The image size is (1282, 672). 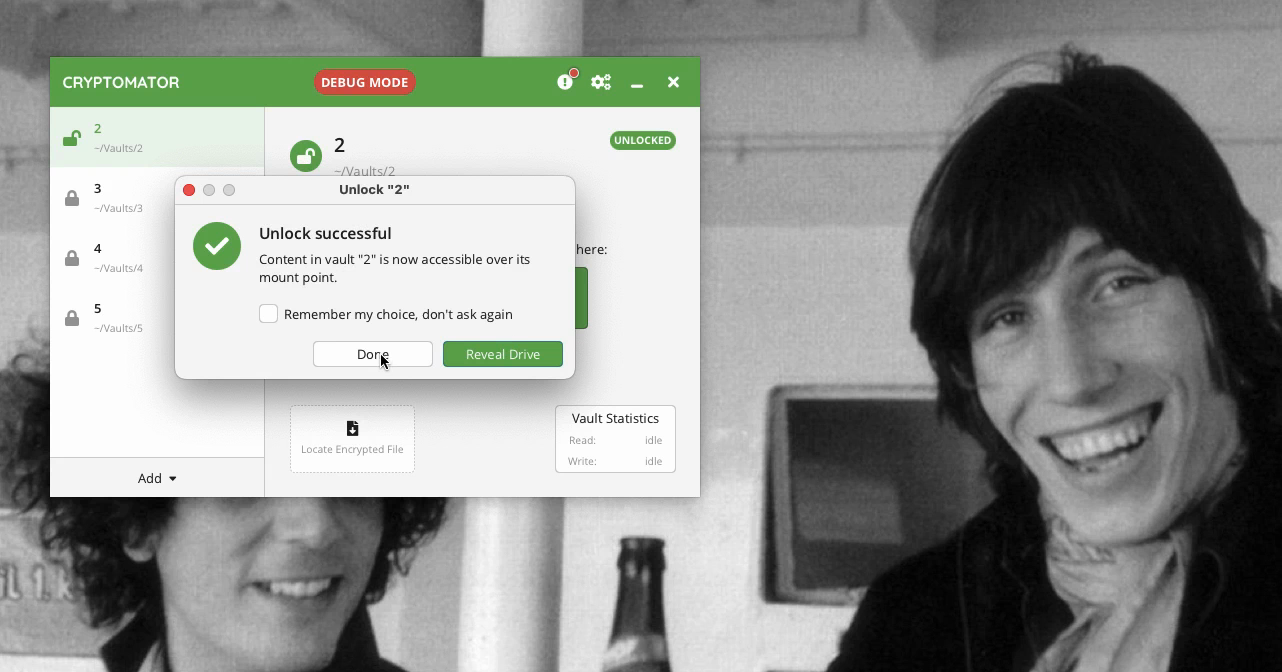 I want to click on Locate Encrypted File, so click(x=355, y=439).